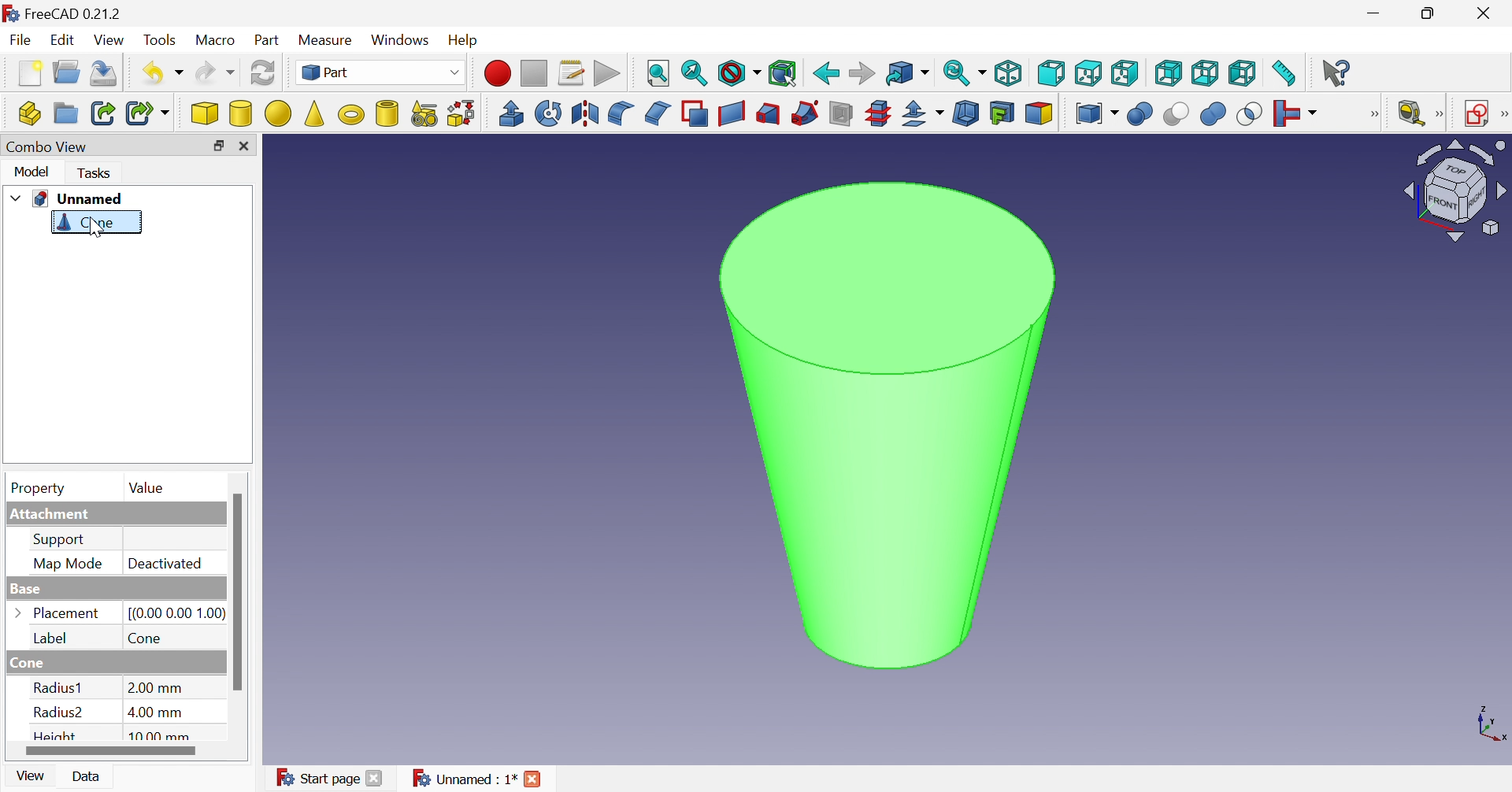  Describe the element at coordinates (1141, 116) in the screenshot. I see `Boolean` at that location.